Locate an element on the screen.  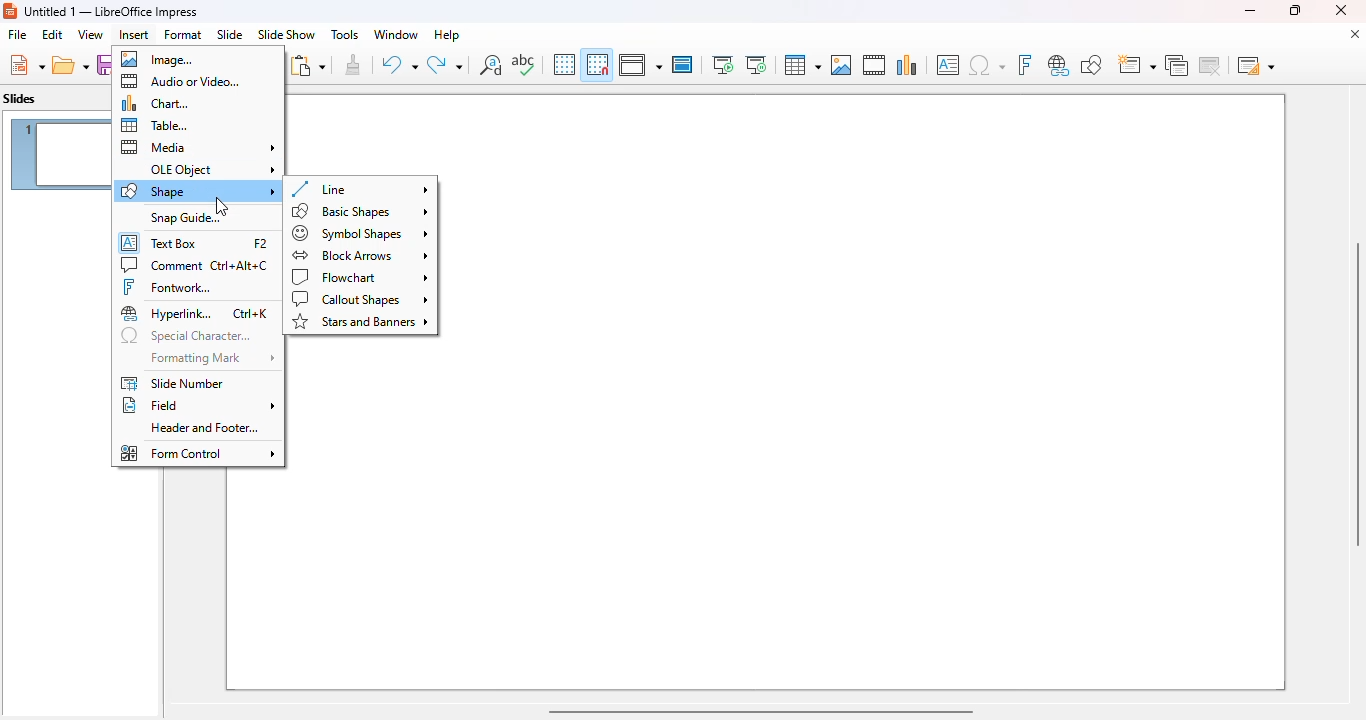
paste is located at coordinates (307, 65).